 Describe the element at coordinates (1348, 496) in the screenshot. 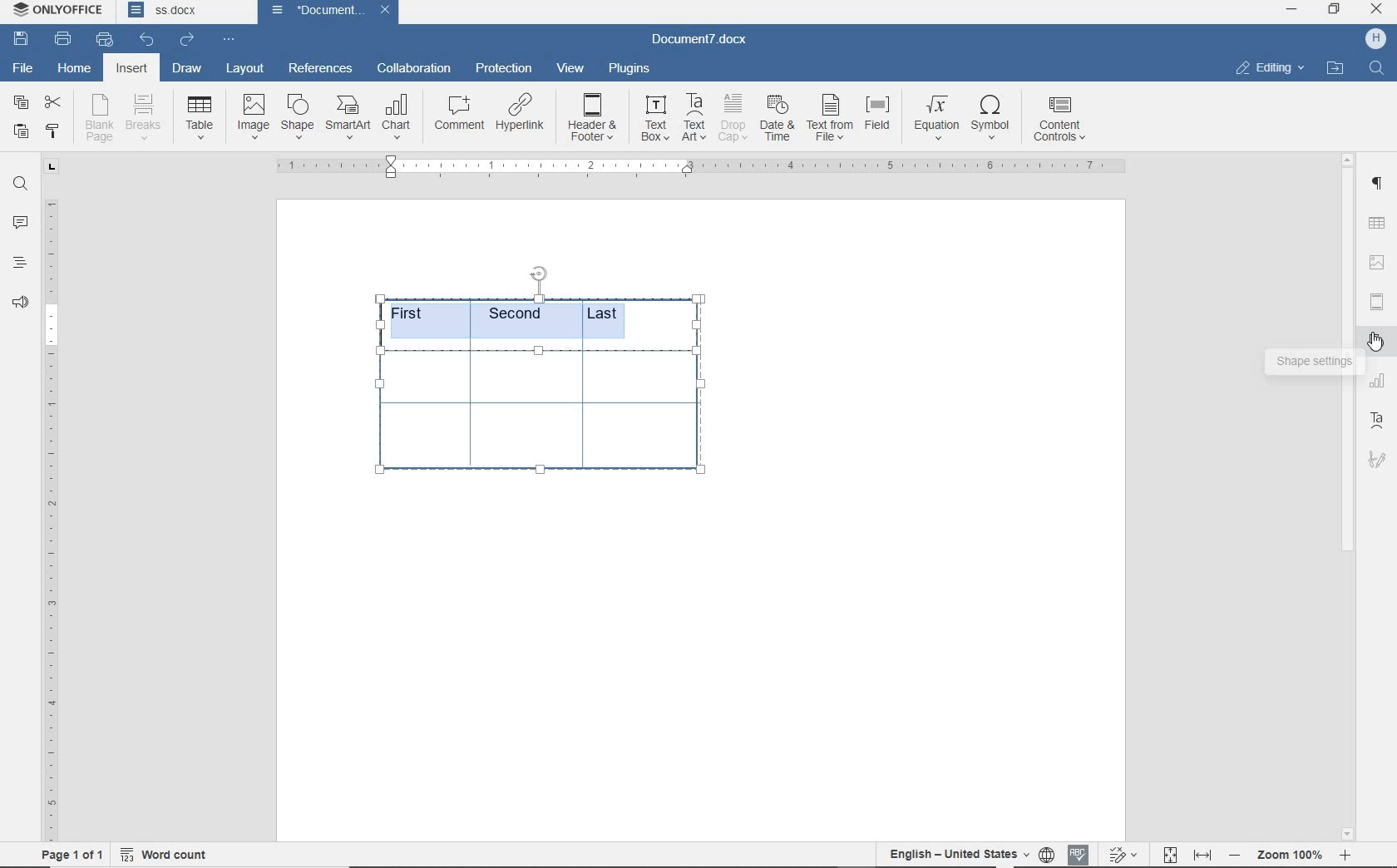

I see `scrollbar` at that location.